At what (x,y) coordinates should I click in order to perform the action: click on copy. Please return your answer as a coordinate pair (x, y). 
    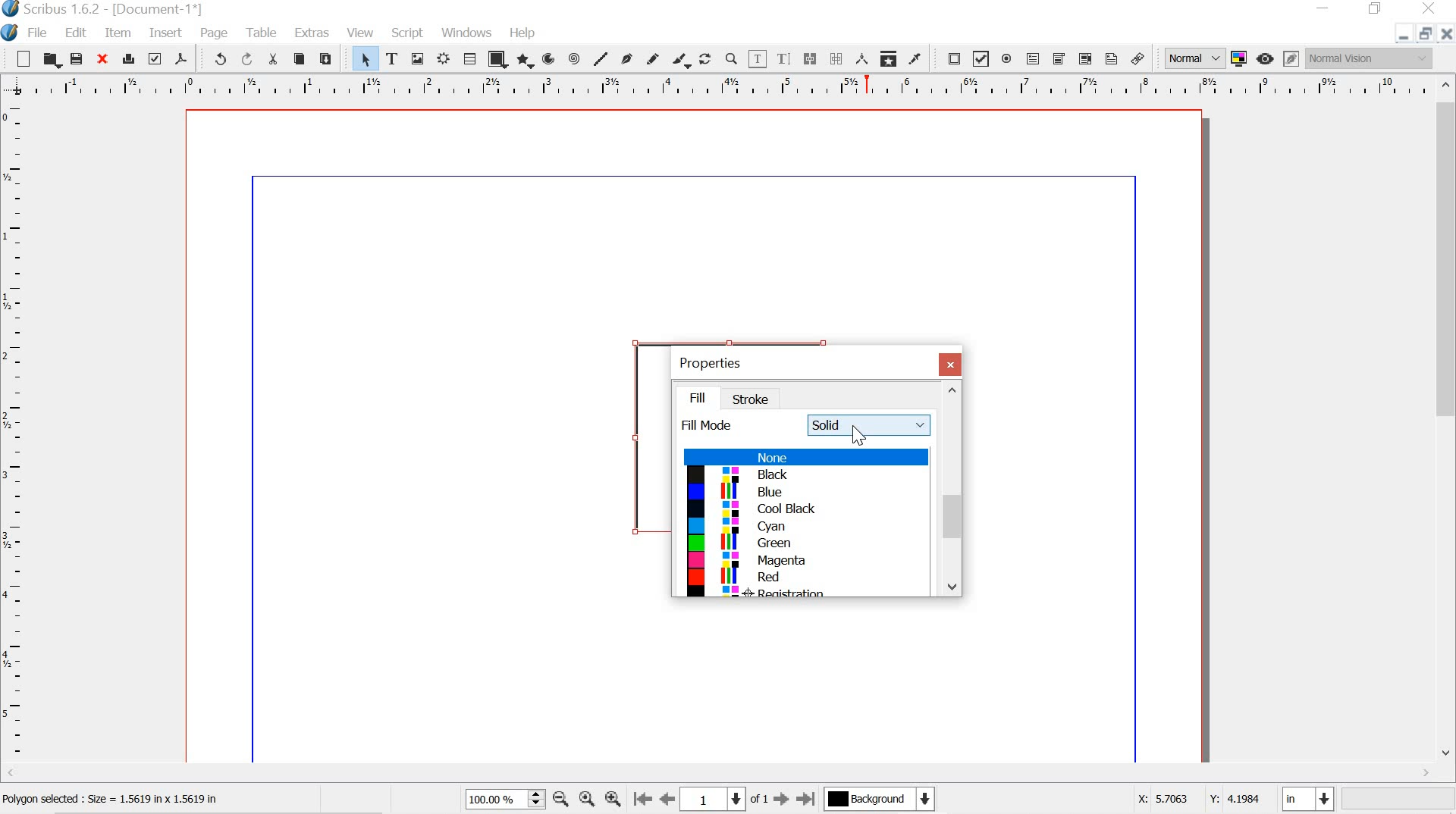
    Looking at the image, I should click on (299, 58).